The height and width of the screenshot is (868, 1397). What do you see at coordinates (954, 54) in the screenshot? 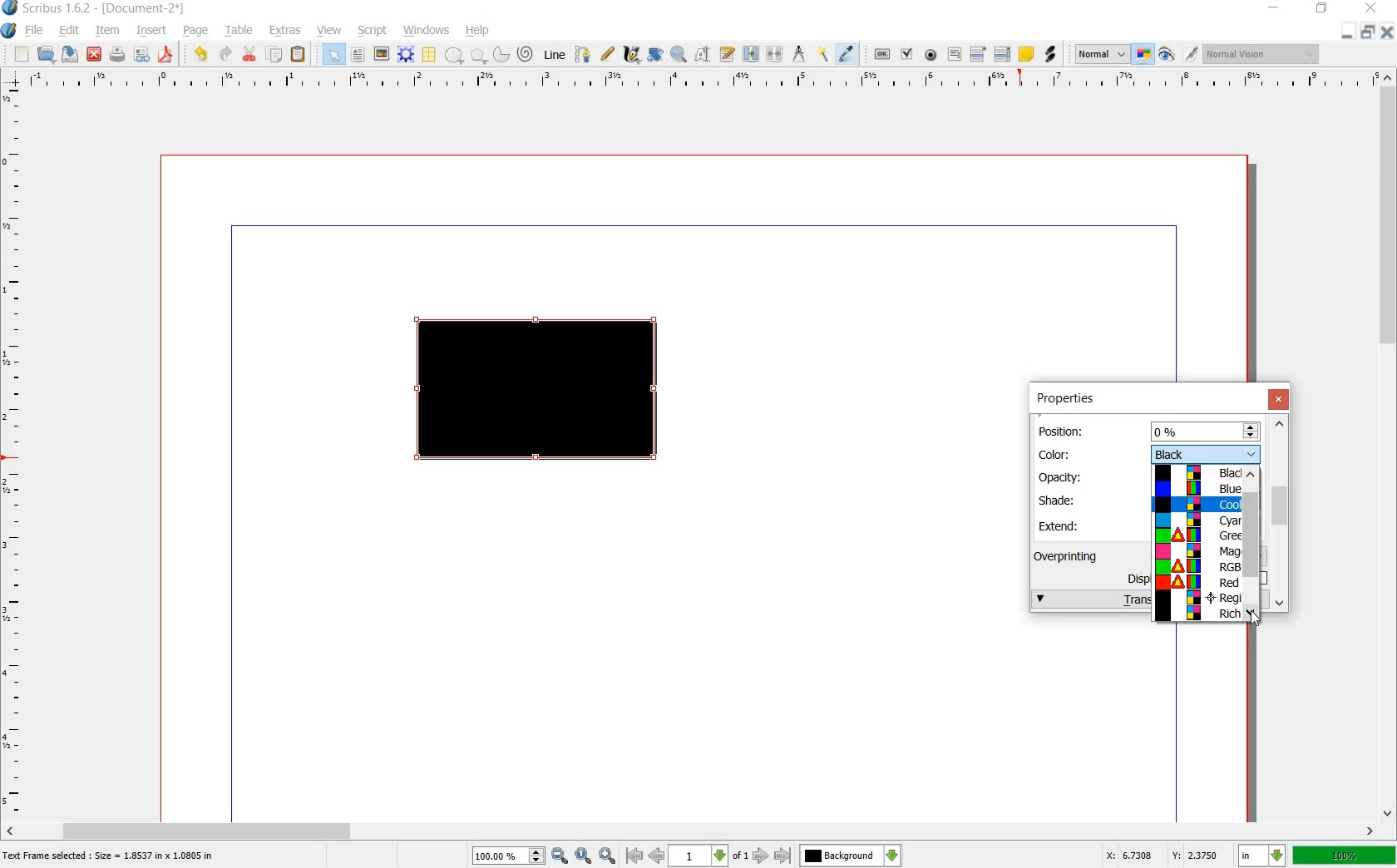
I see `pdf text field` at bounding box center [954, 54].